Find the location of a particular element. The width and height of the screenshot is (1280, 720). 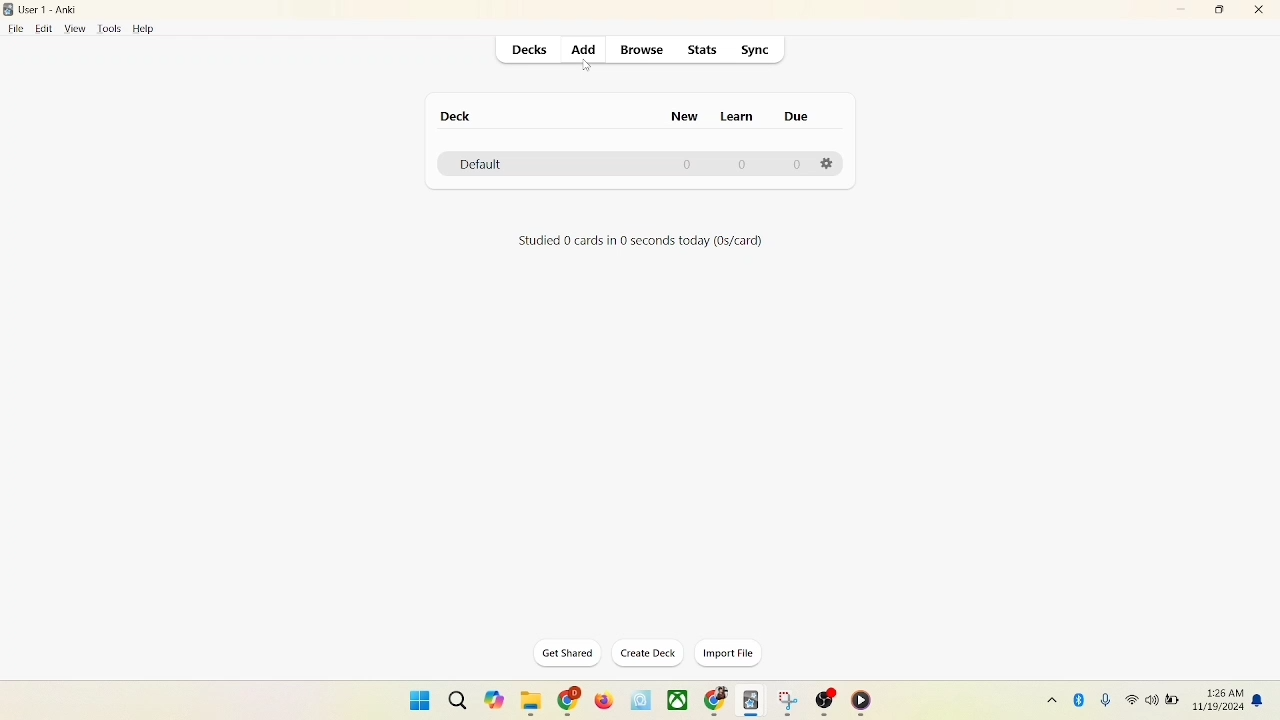

learn is located at coordinates (742, 117).